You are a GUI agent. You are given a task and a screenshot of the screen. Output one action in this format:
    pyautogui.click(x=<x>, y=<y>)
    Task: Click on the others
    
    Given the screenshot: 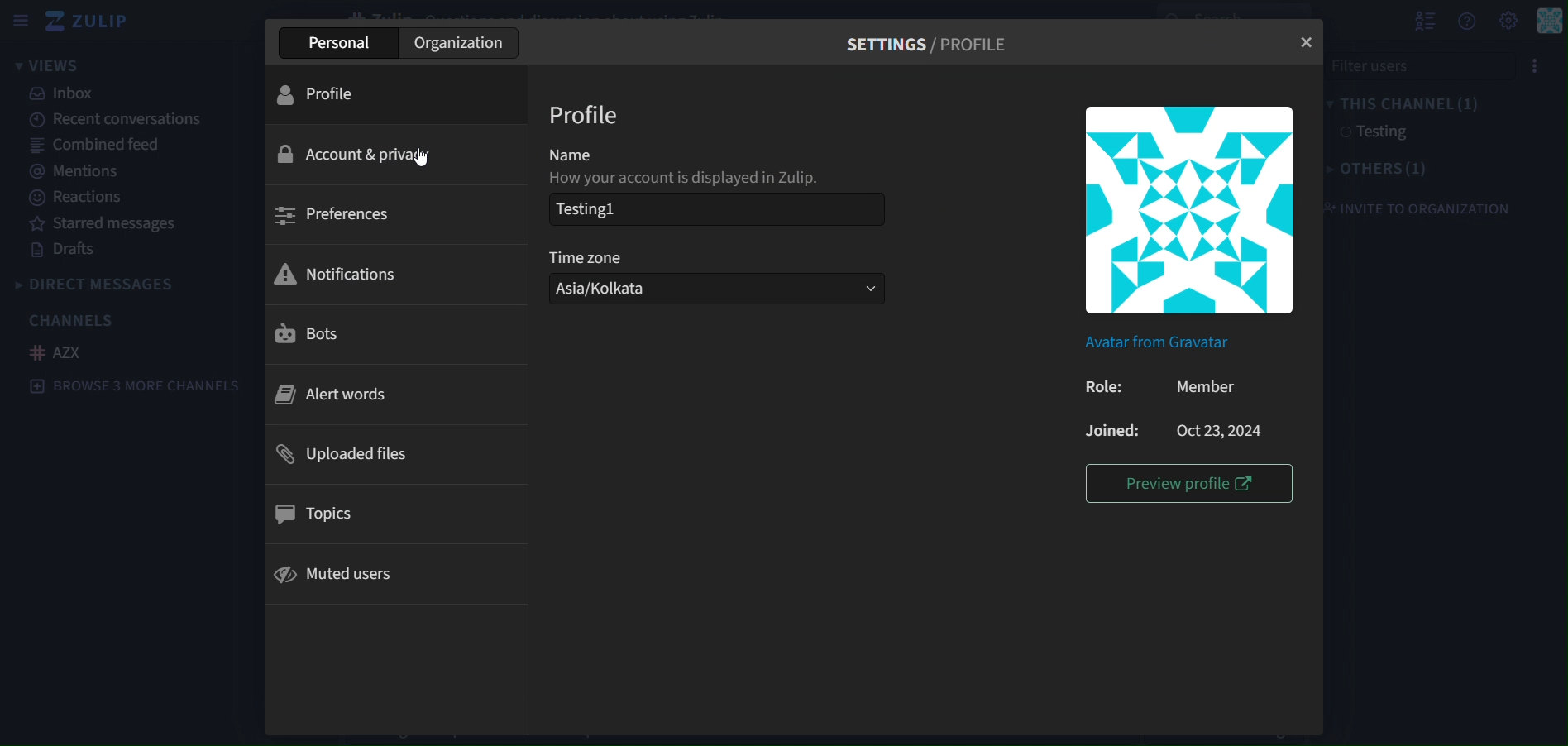 What is the action you would take?
    pyautogui.click(x=1379, y=171)
    